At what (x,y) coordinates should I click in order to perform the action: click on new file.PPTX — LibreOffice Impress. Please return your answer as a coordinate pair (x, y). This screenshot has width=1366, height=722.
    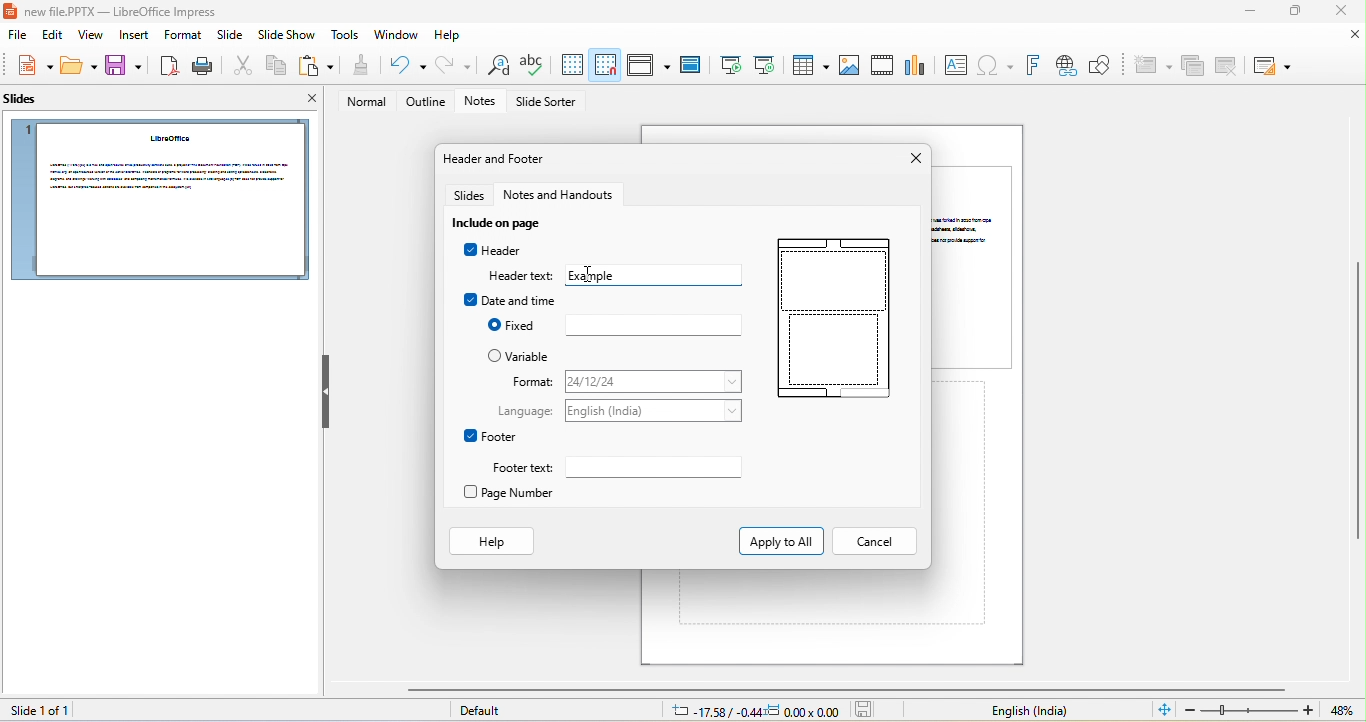
    Looking at the image, I should click on (116, 11).